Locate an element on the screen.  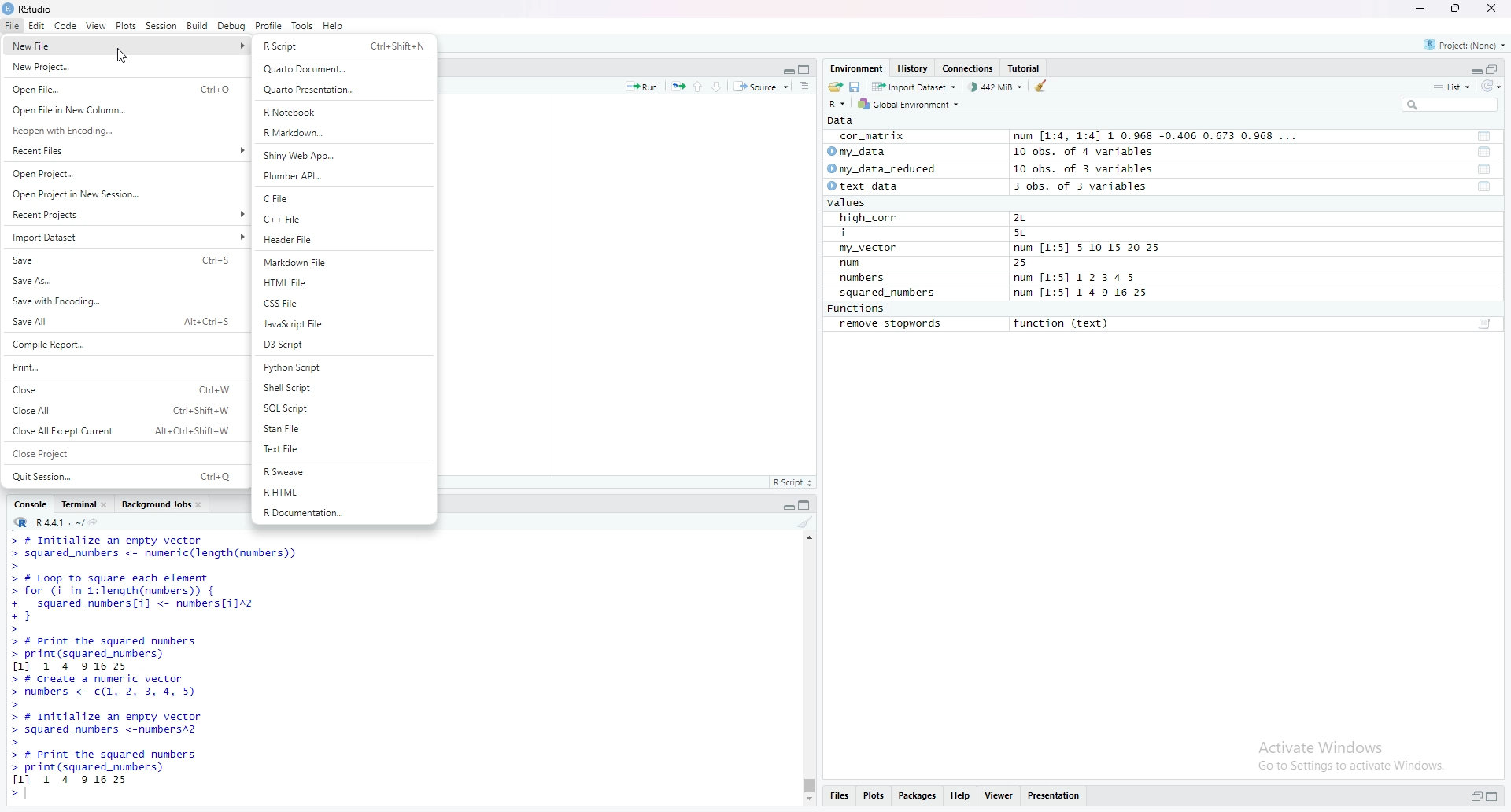
Open File in New Column, is located at coordinates (120, 109).